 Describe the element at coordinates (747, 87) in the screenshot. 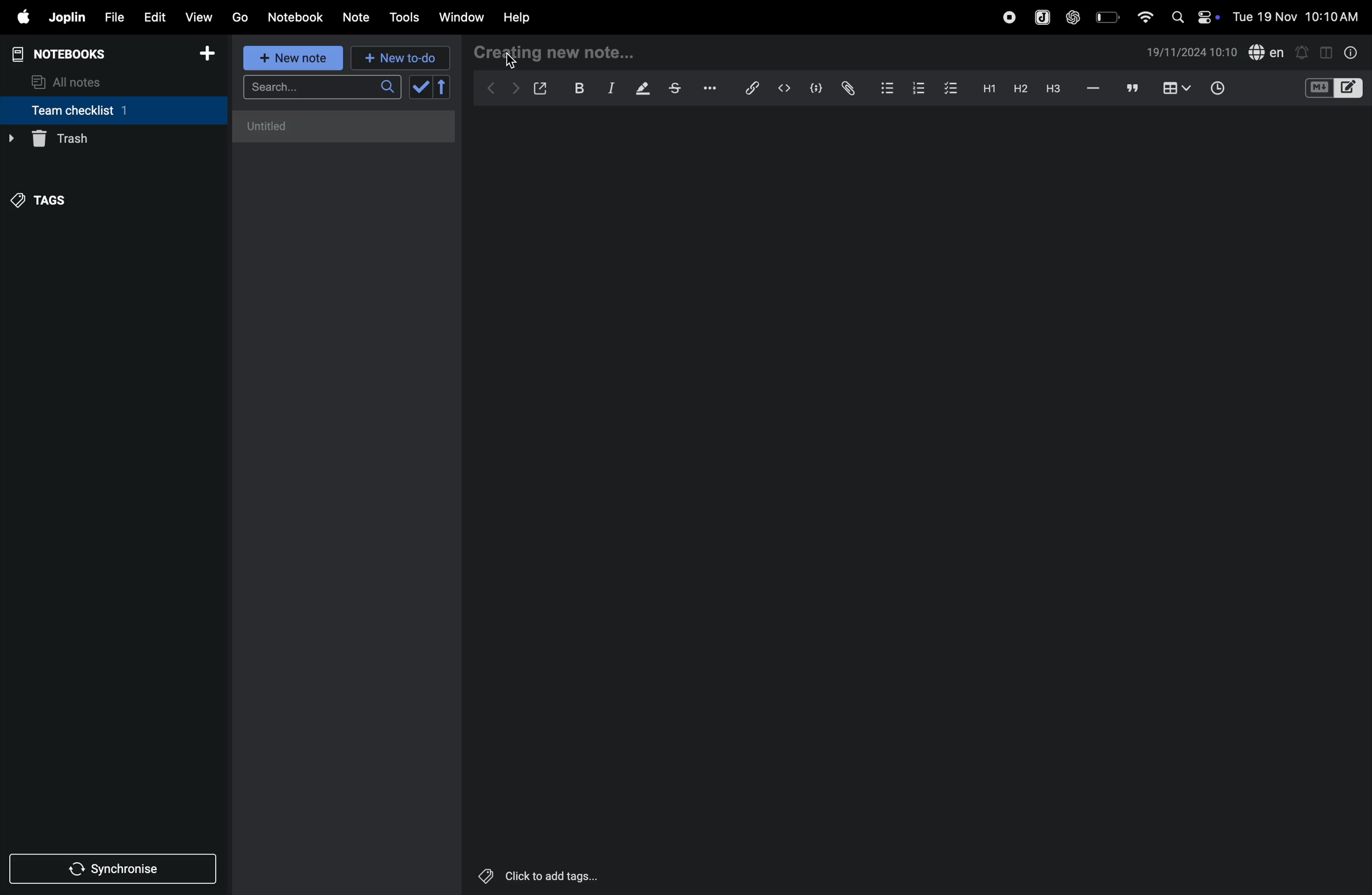

I see `hyperlink` at that location.